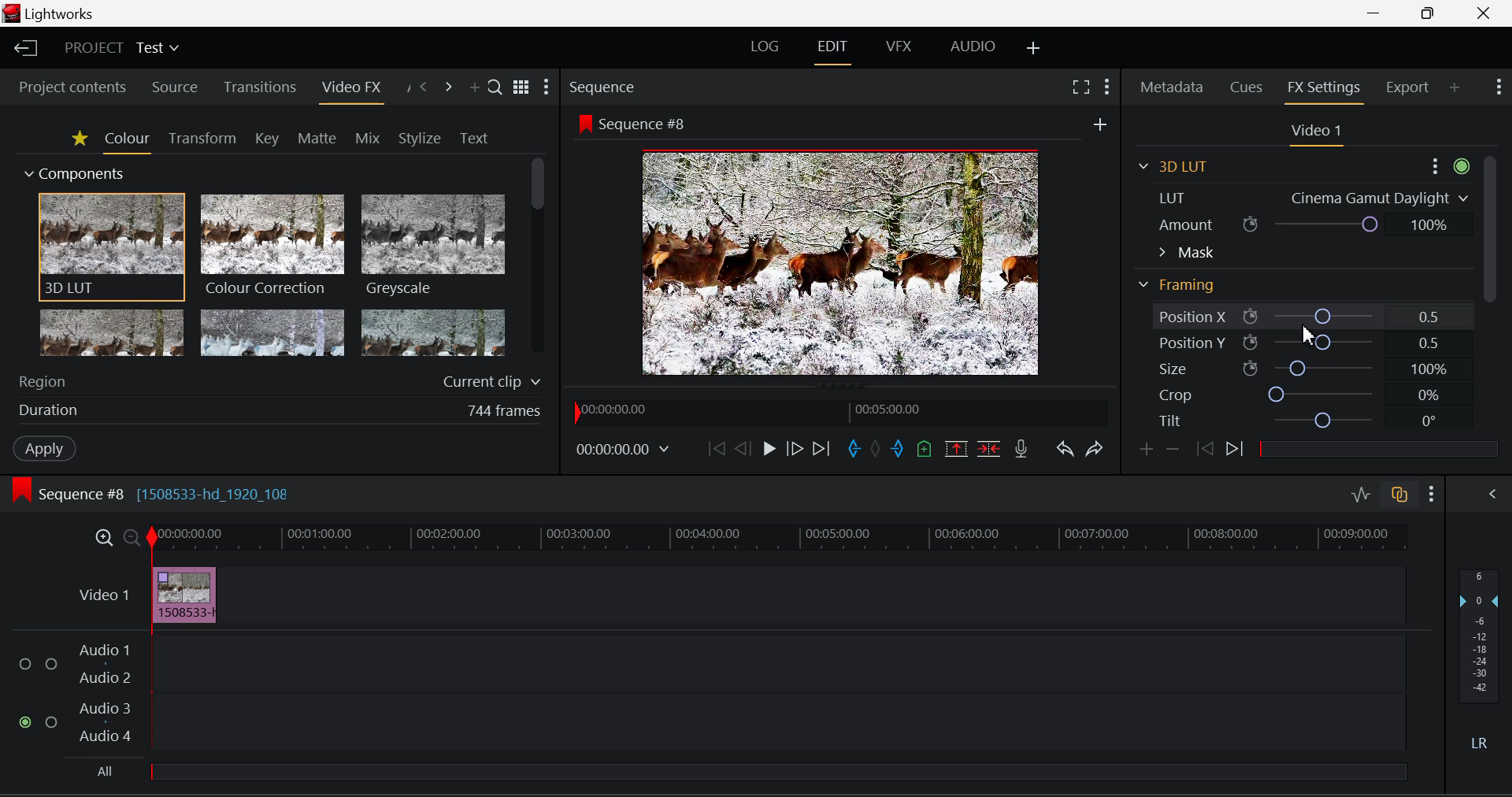 The height and width of the screenshot is (797, 1512). What do you see at coordinates (200, 139) in the screenshot?
I see `Transform` at bounding box center [200, 139].